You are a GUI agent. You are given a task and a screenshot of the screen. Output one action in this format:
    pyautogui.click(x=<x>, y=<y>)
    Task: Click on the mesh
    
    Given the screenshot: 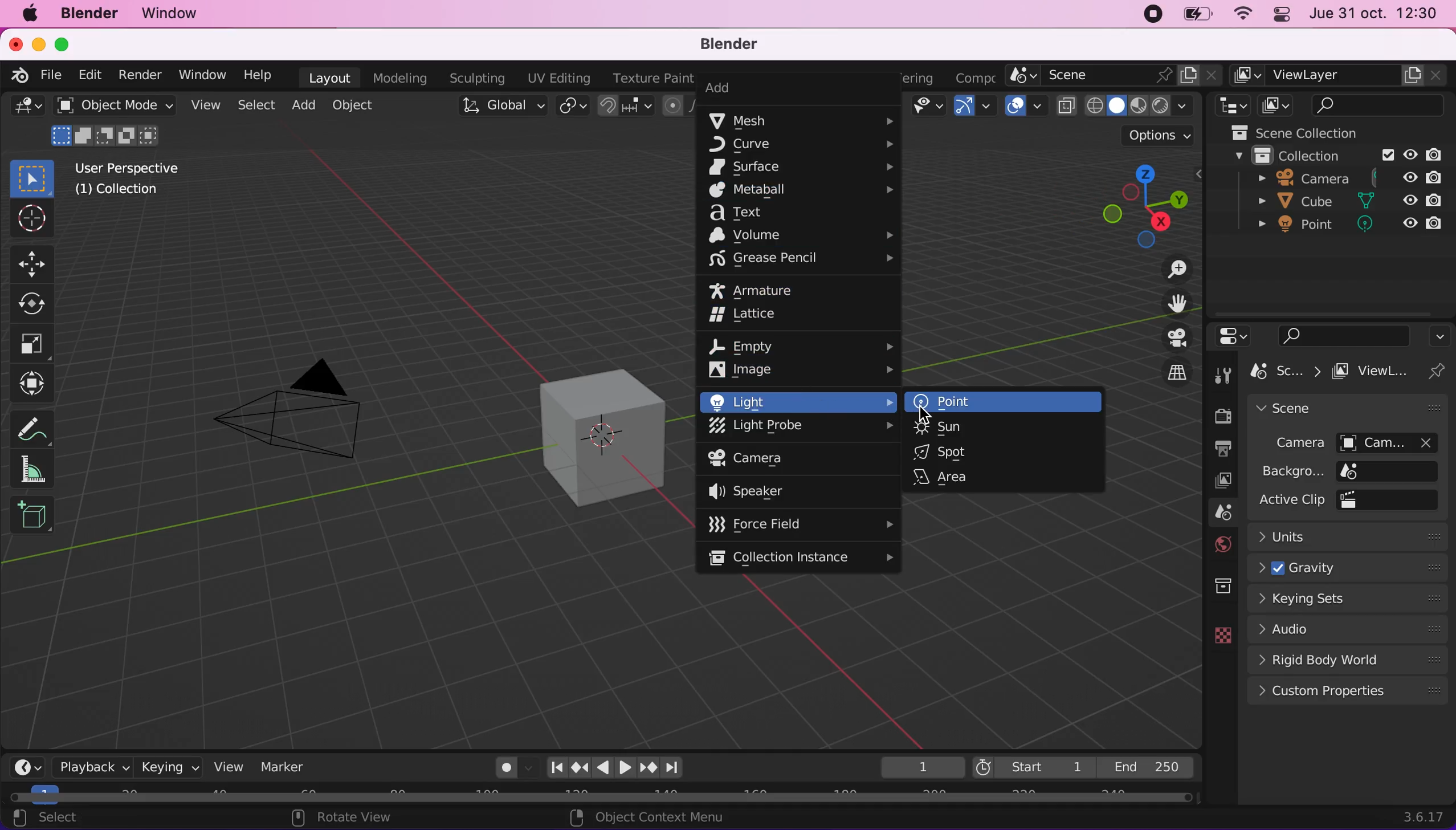 What is the action you would take?
    pyautogui.click(x=802, y=120)
    